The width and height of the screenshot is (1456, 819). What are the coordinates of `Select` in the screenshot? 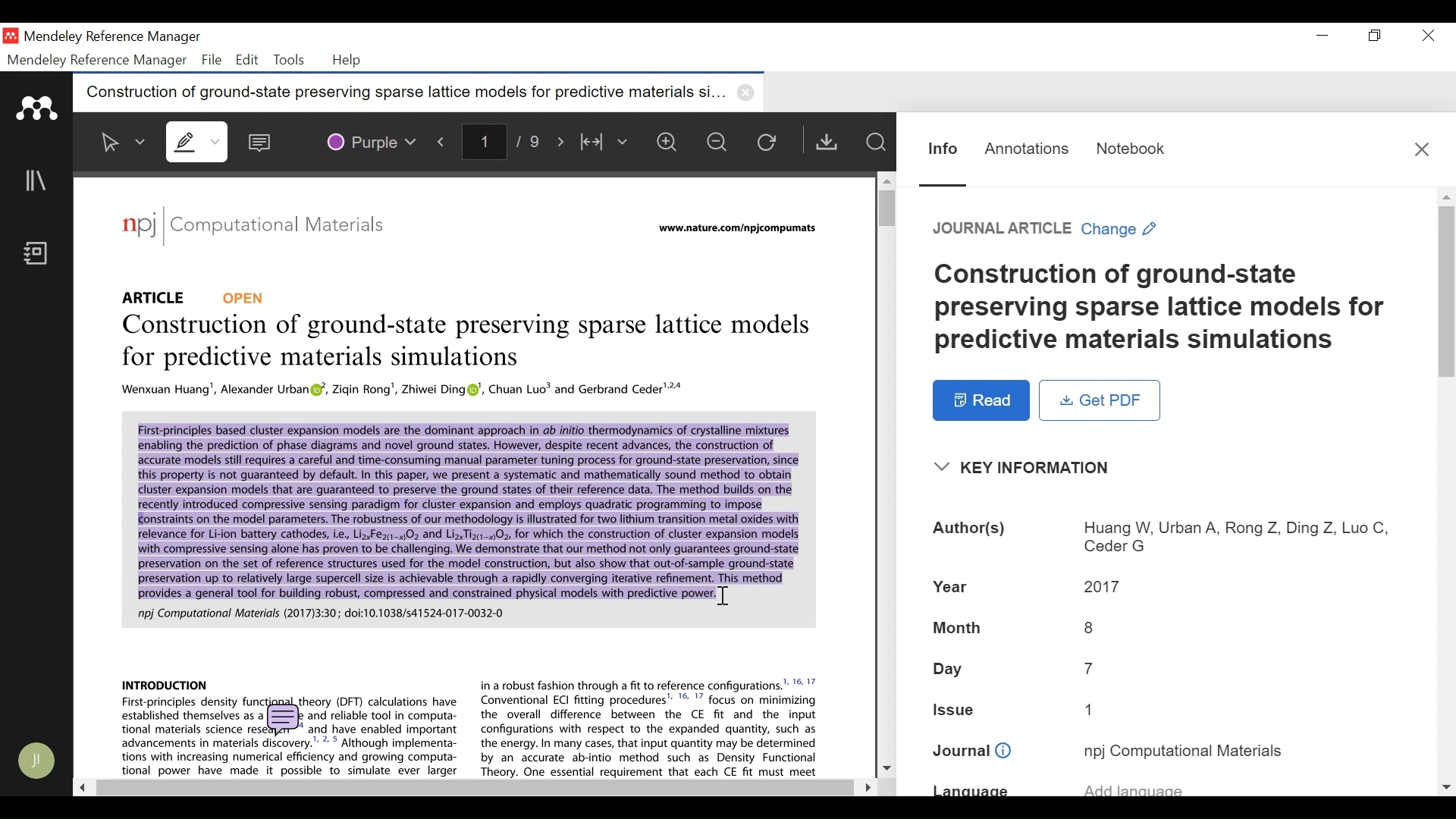 It's located at (124, 142).